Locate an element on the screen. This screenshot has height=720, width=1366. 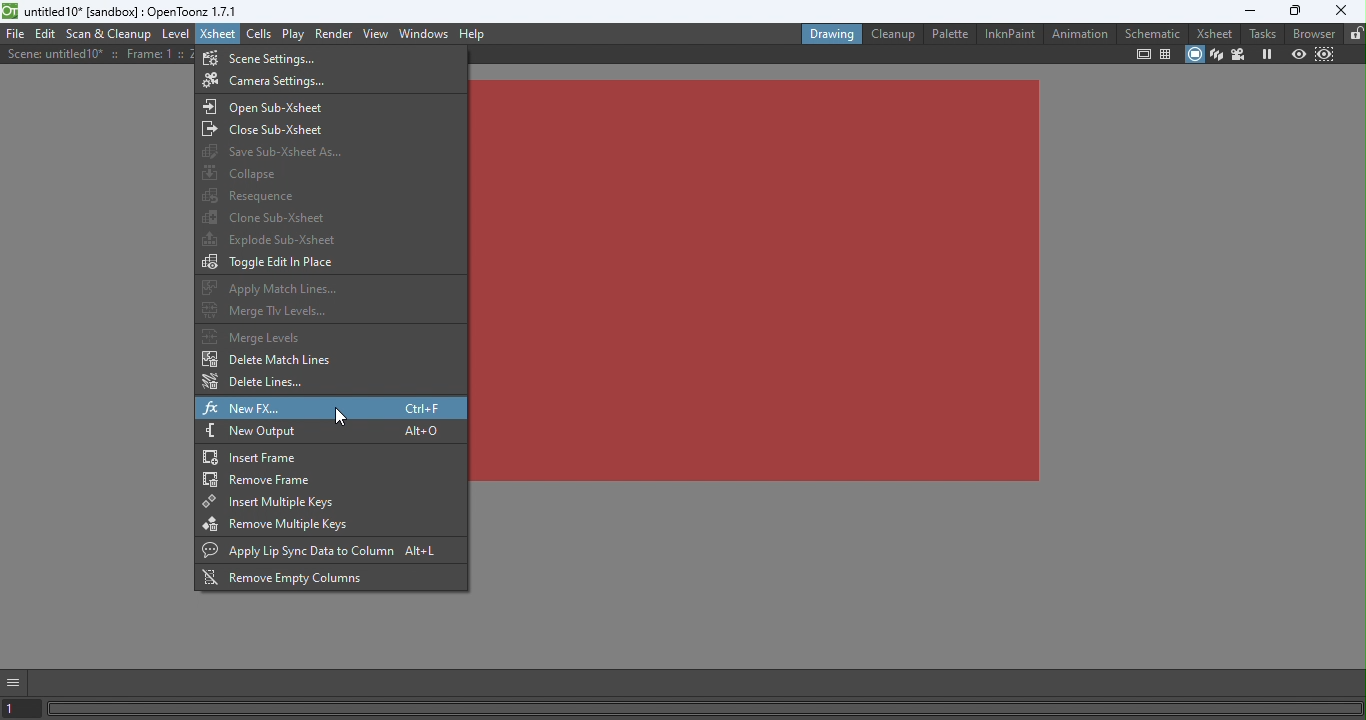
Close is located at coordinates (1343, 11).